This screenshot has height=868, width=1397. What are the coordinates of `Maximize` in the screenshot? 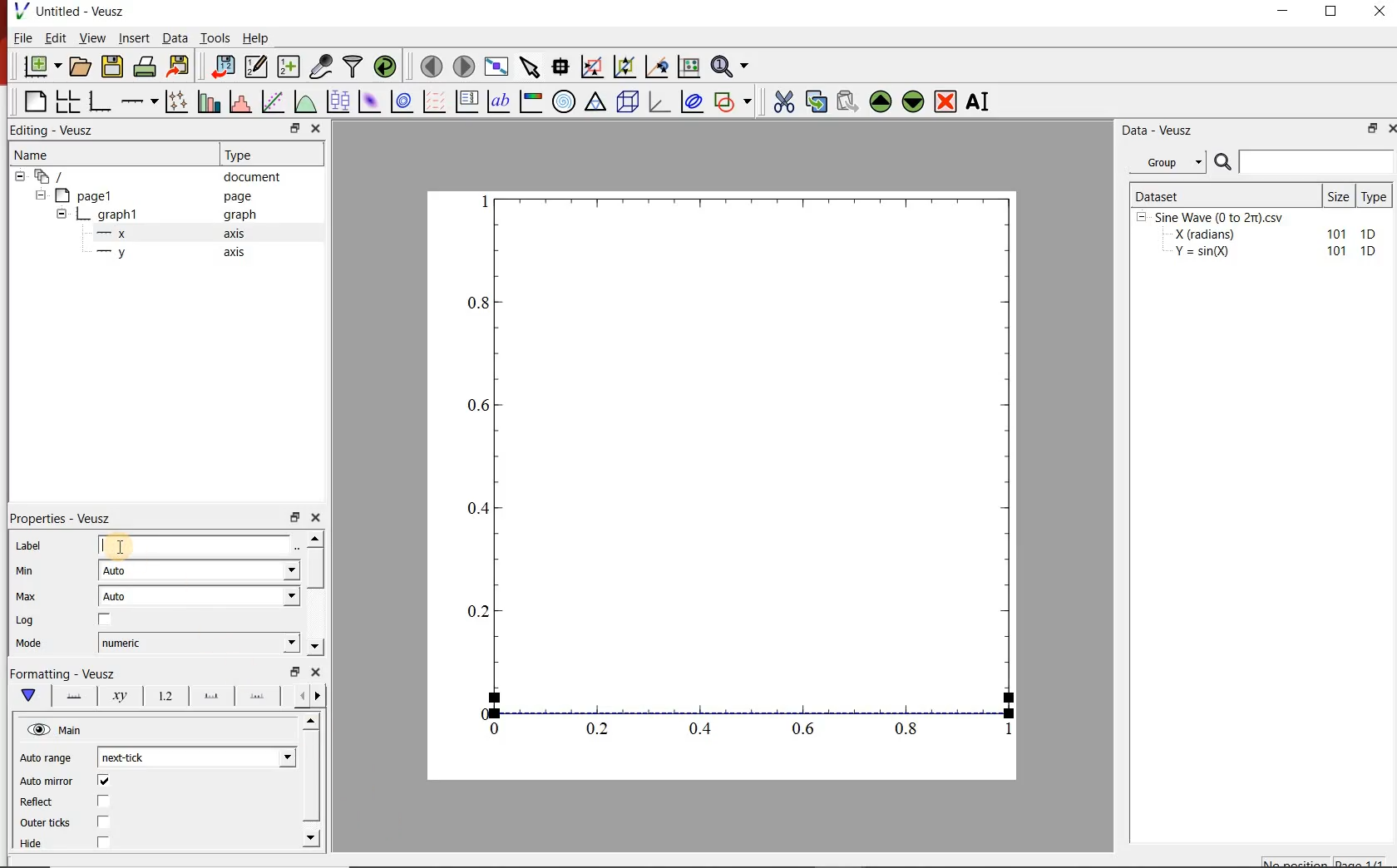 It's located at (1332, 12).